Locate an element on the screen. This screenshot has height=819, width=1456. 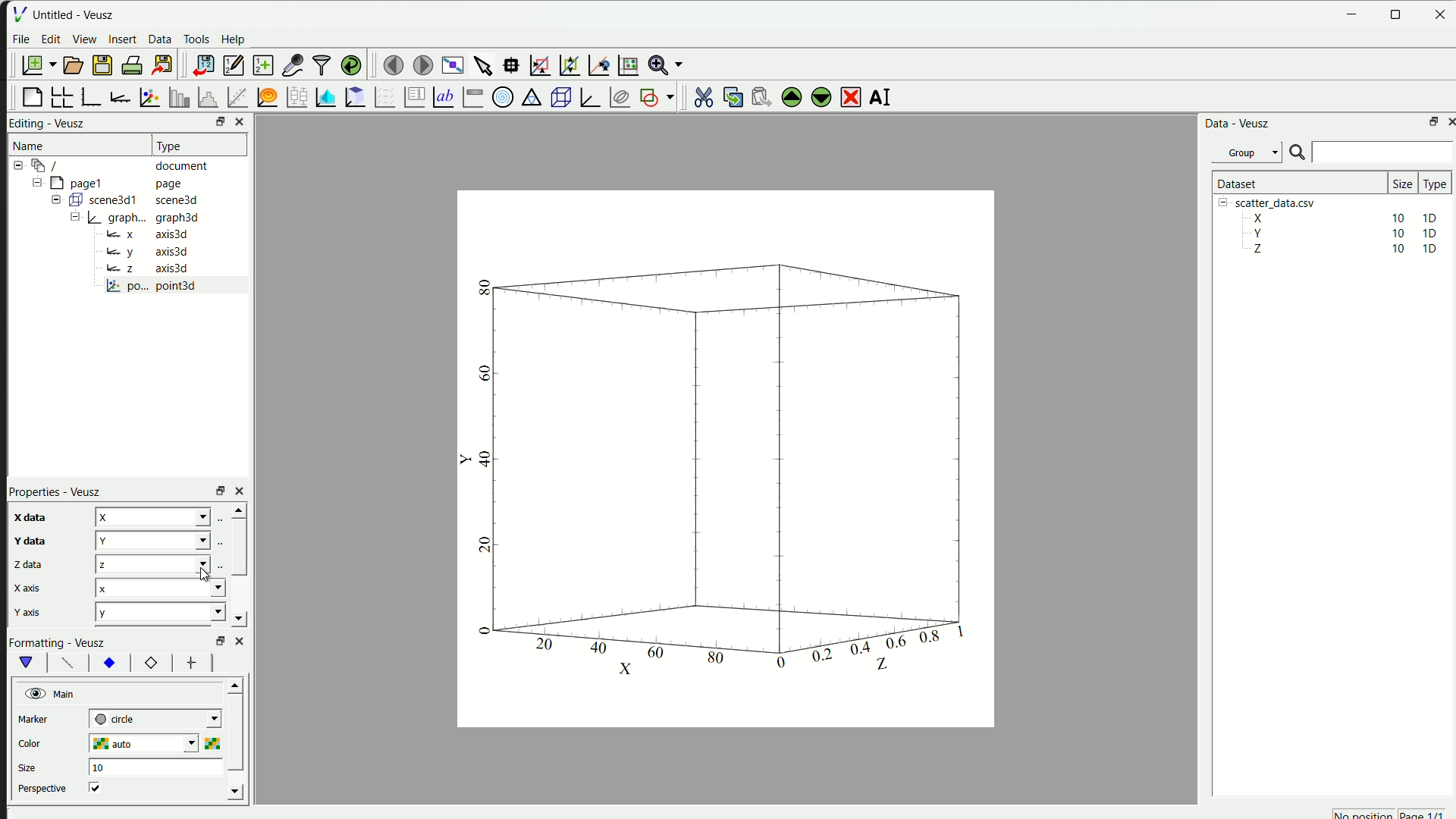
Formatting - Veusz is located at coordinates (64, 642).